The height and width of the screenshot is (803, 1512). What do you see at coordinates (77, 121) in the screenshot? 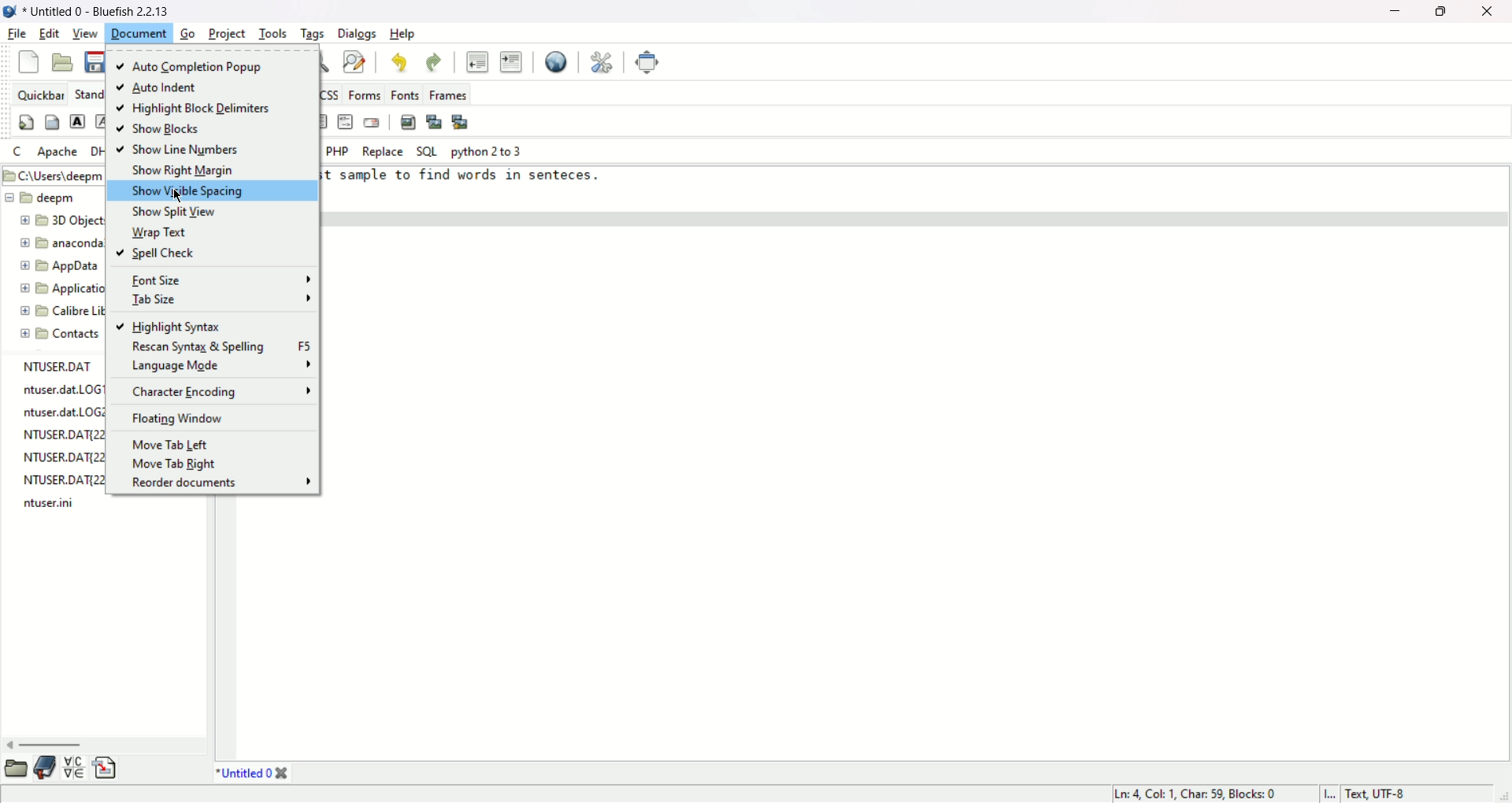
I see `strong` at bounding box center [77, 121].